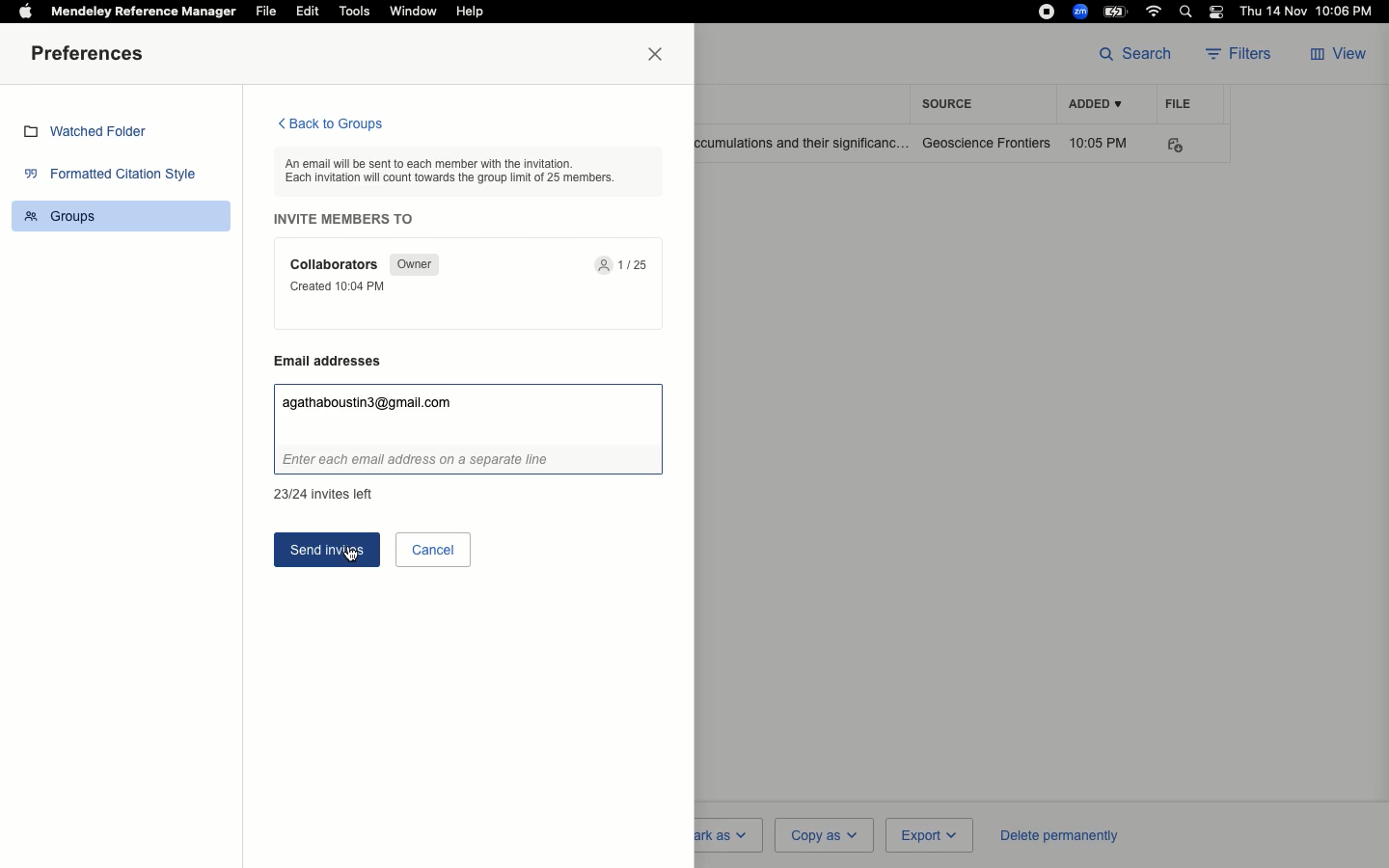  Describe the element at coordinates (462, 170) in the screenshot. I see `Instructional text` at that location.